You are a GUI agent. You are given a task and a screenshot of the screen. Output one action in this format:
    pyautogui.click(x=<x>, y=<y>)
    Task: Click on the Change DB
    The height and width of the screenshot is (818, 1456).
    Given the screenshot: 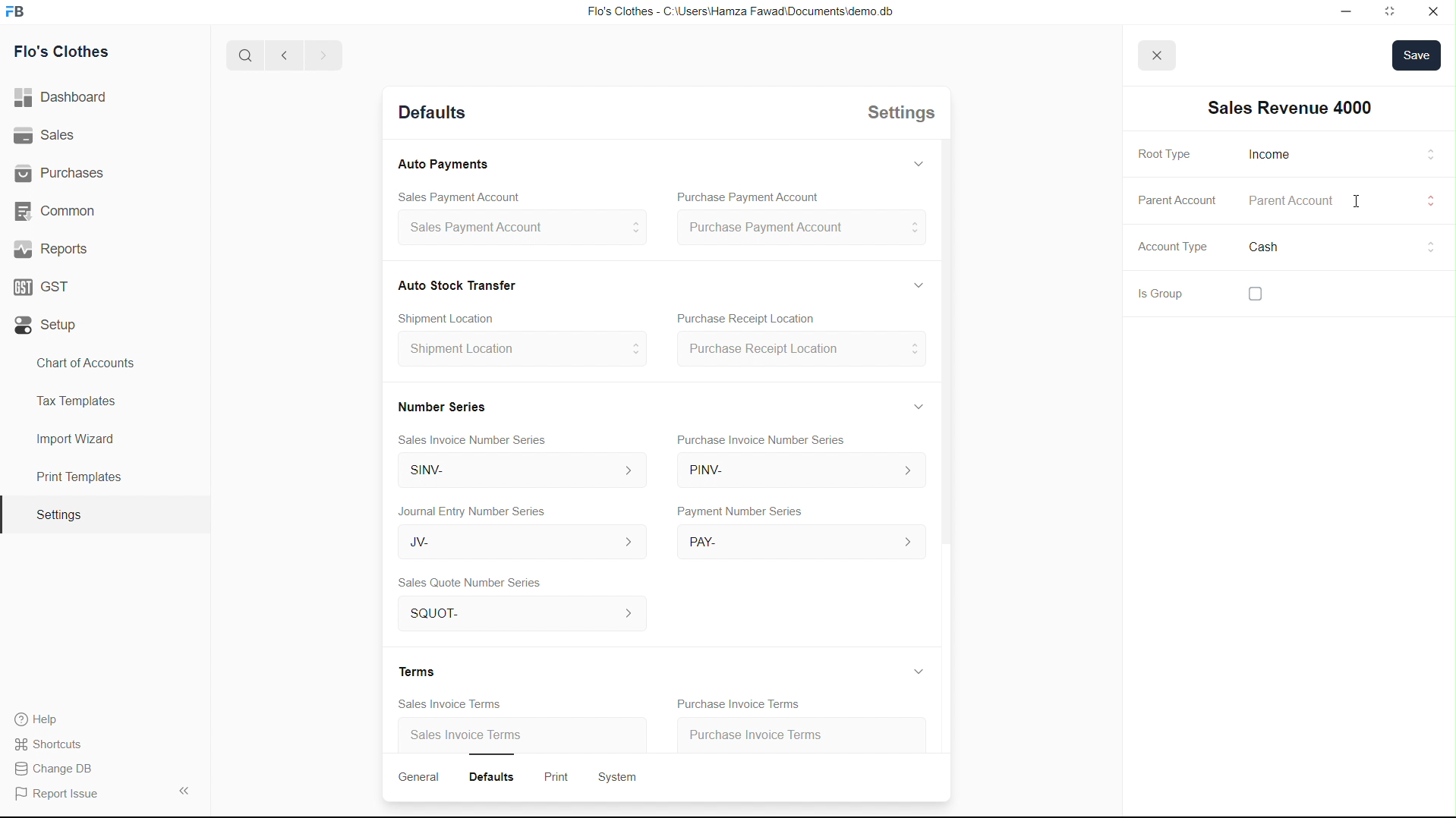 What is the action you would take?
    pyautogui.click(x=58, y=769)
    